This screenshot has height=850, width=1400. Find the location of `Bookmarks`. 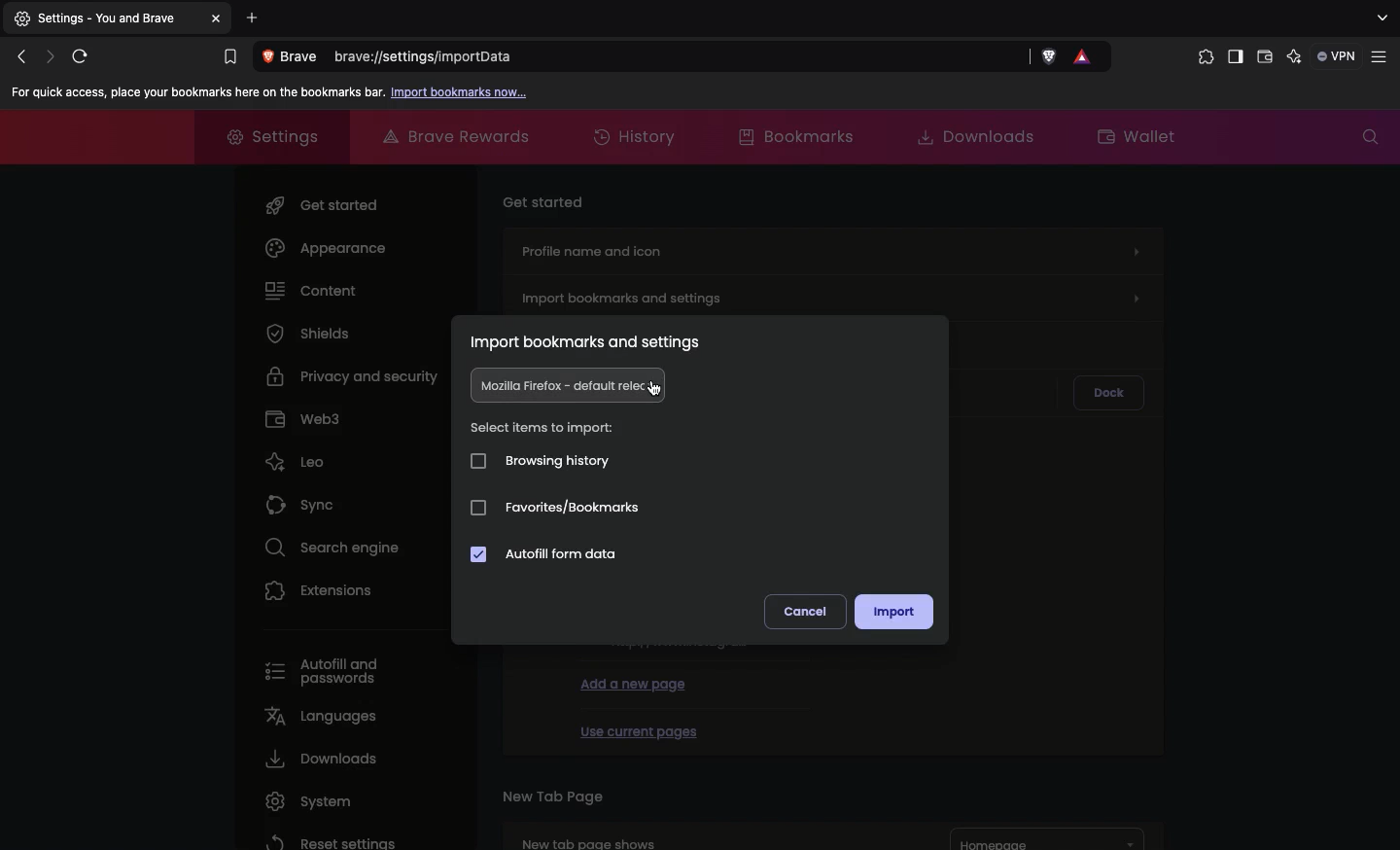

Bookmarks is located at coordinates (793, 135).